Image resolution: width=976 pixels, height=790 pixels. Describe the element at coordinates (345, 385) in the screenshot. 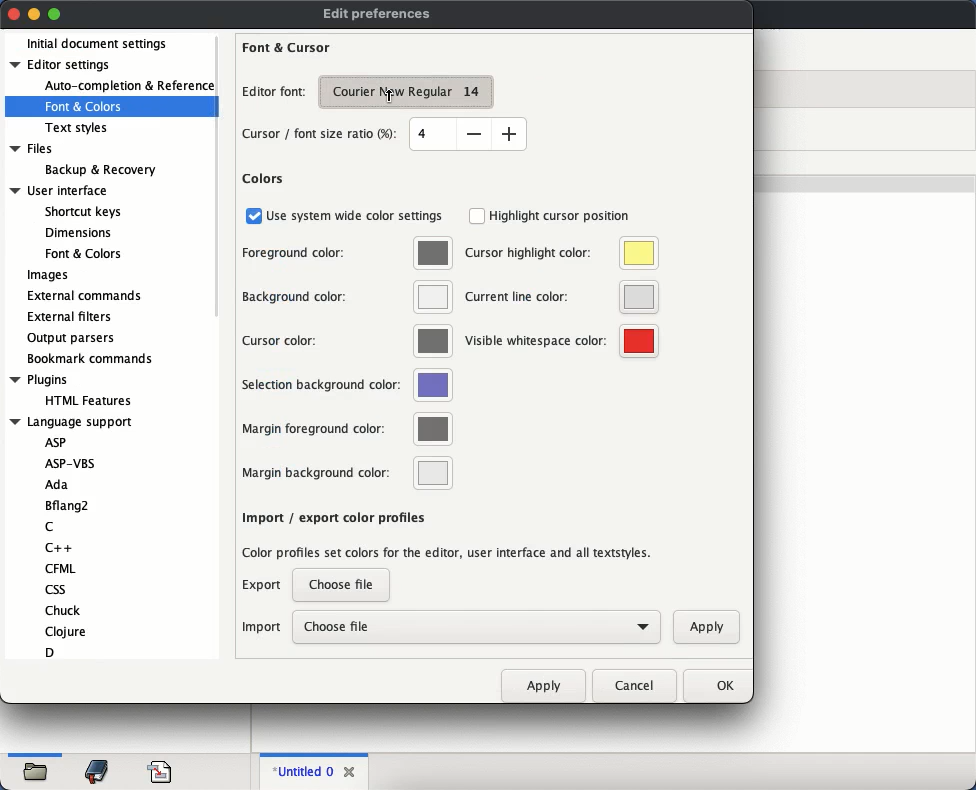

I see `selection background color` at that location.